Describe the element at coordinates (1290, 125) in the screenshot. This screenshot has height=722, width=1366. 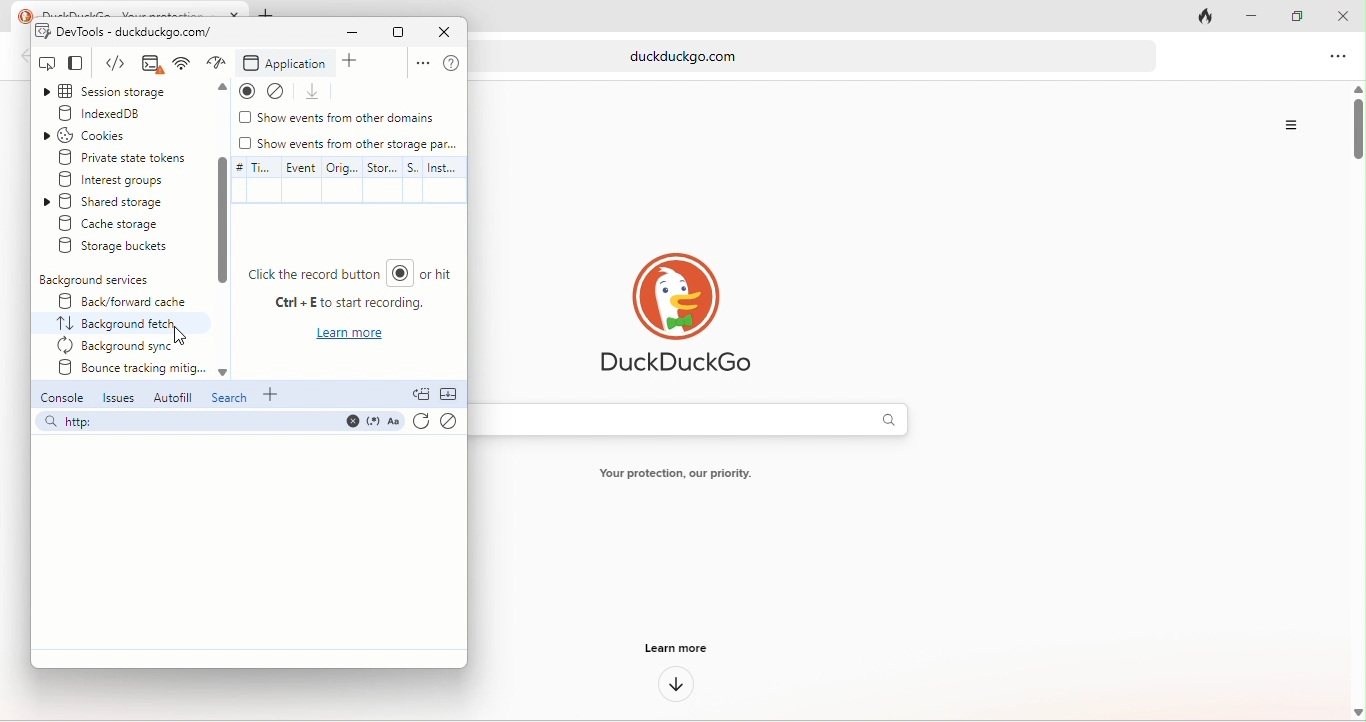
I see `Options` at that location.